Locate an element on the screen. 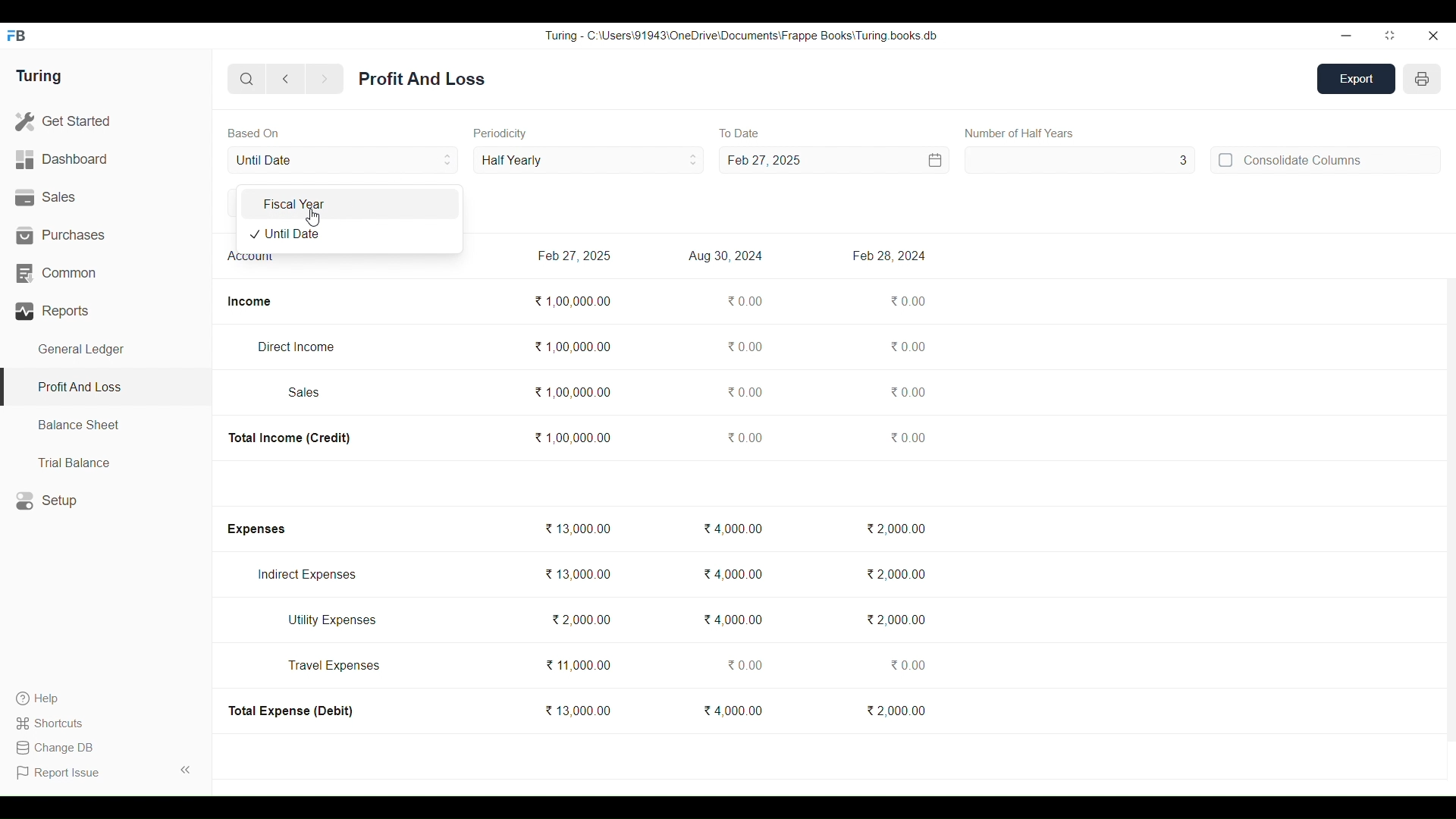 This screenshot has width=1456, height=819. Total Income (Credit) is located at coordinates (290, 438).